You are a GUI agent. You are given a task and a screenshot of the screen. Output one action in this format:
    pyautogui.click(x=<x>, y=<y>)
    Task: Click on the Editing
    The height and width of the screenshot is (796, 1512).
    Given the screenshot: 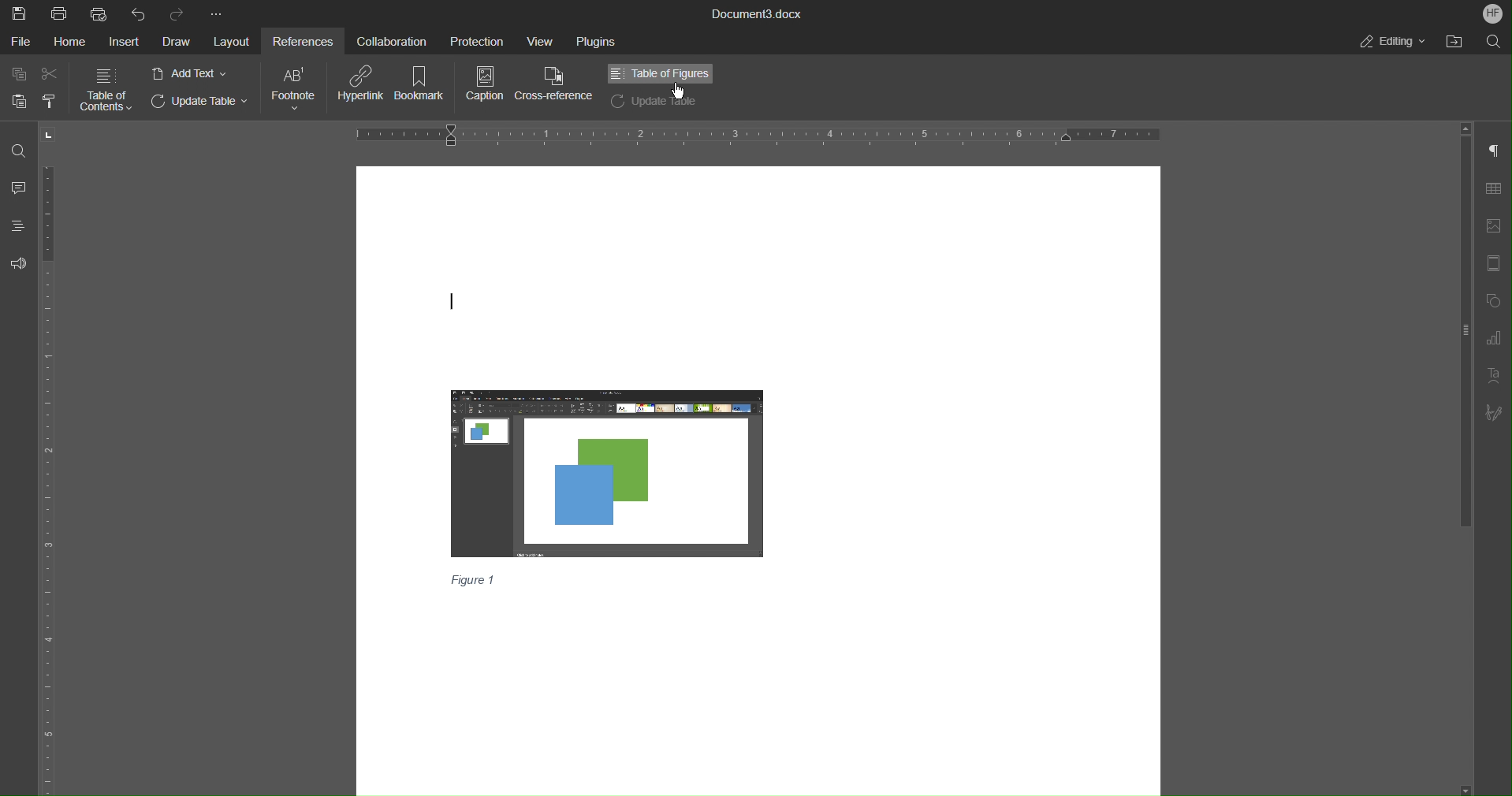 What is the action you would take?
    pyautogui.click(x=1392, y=42)
    